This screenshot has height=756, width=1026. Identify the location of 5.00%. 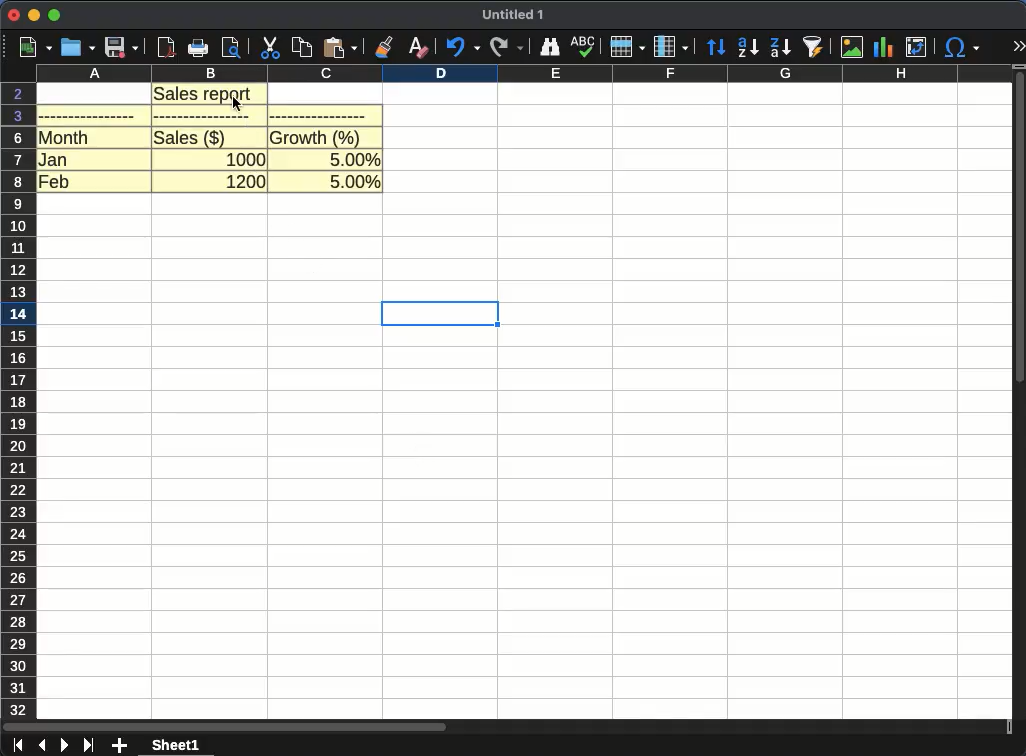
(355, 157).